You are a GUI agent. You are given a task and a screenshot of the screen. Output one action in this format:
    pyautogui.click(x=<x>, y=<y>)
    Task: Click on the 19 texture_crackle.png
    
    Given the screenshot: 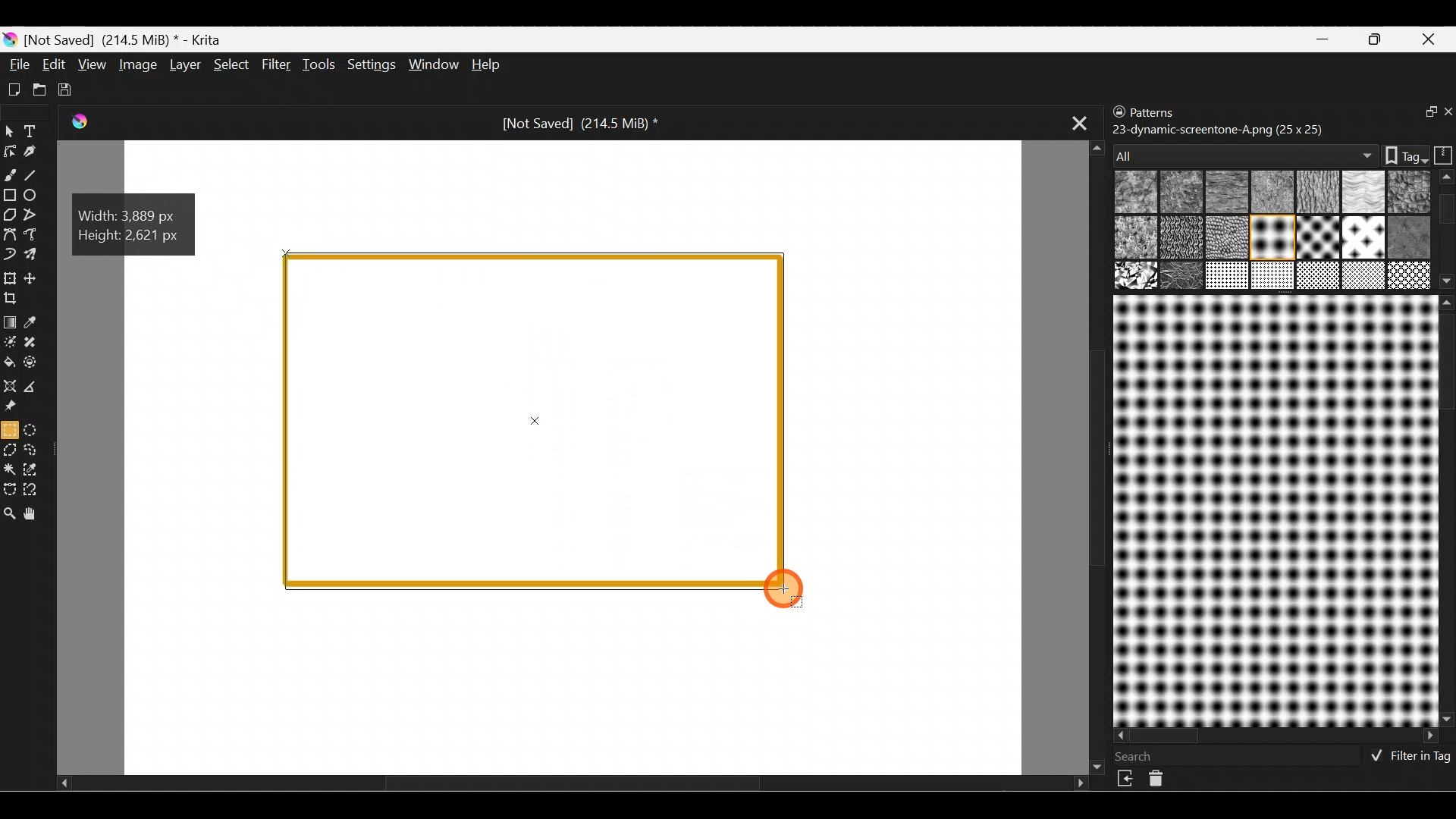 What is the action you would take?
    pyautogui.click(x=1364, y=276)
    